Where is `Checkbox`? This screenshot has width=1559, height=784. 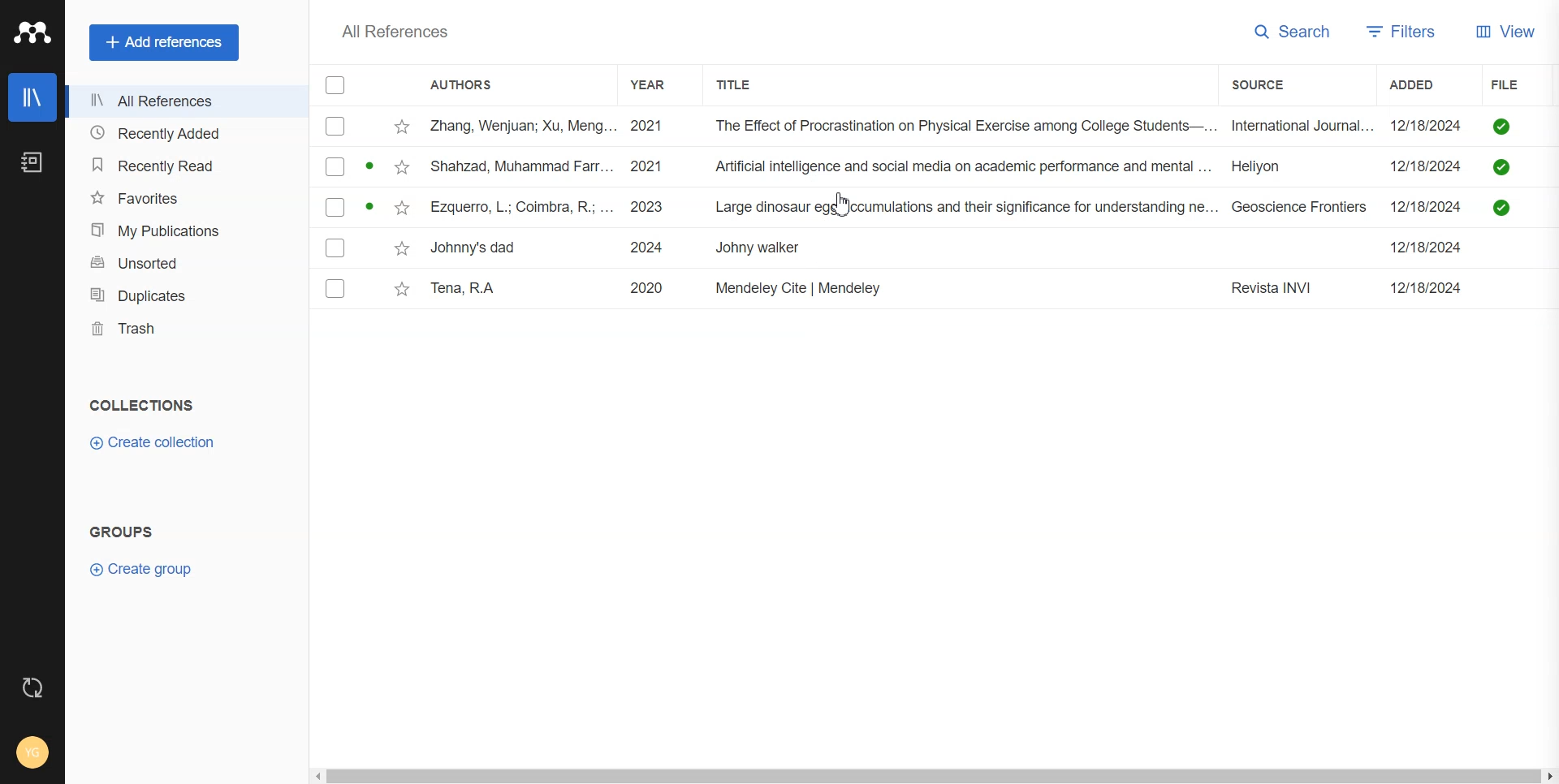
Checkbox is located at coordinates (336, 207).